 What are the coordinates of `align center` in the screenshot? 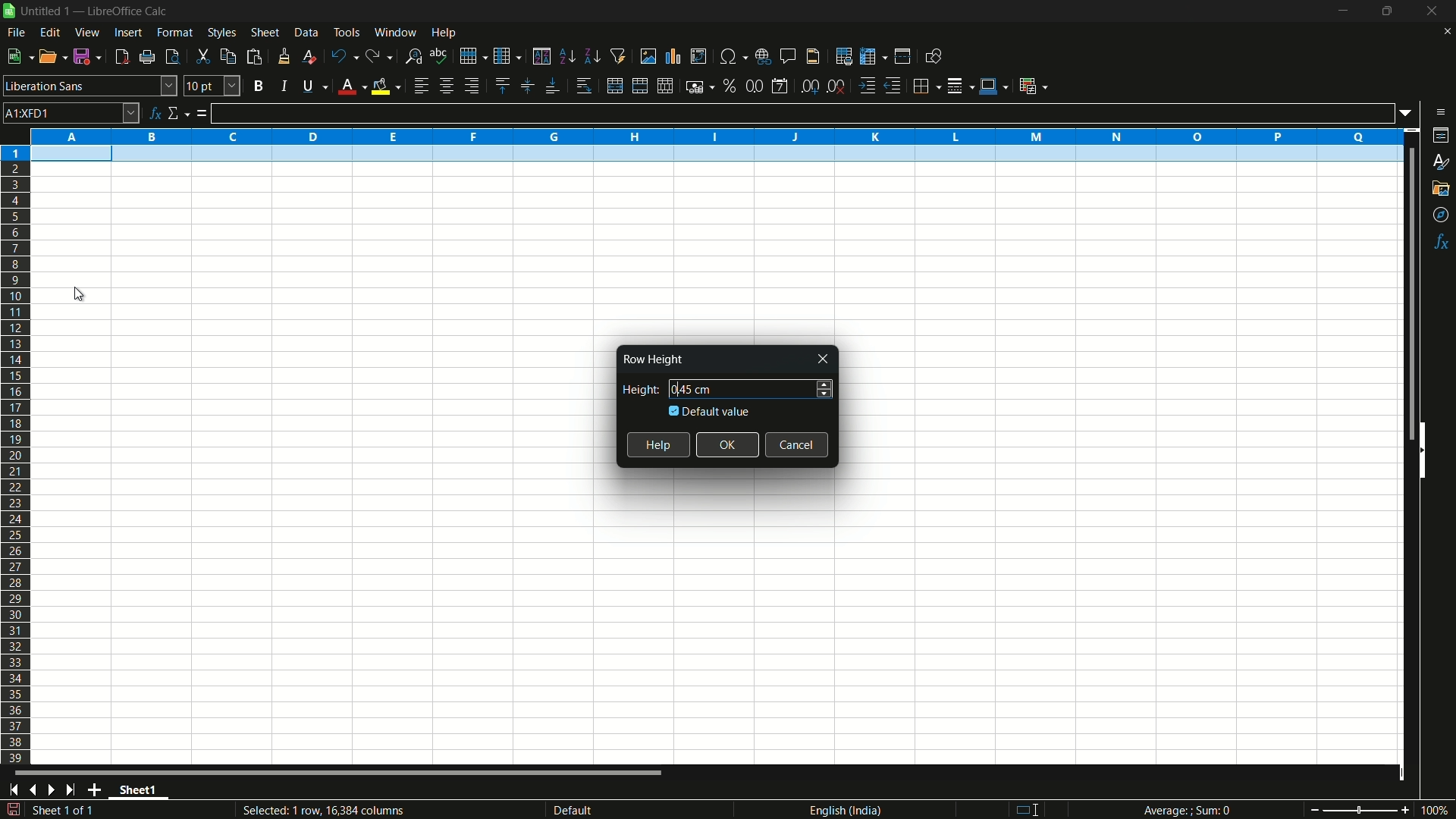 It's located at (446, 86).